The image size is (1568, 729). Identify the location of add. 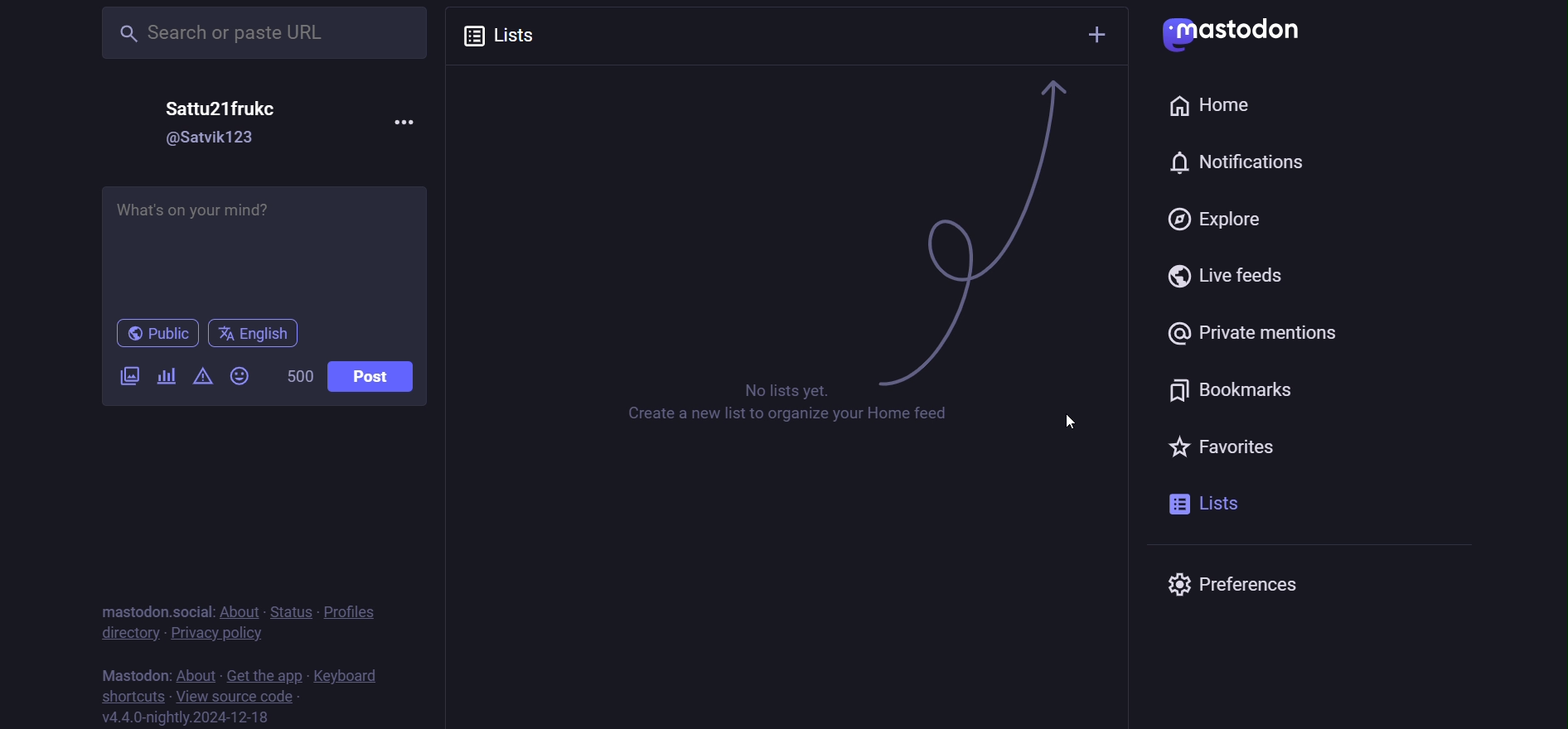
(1097, 35).